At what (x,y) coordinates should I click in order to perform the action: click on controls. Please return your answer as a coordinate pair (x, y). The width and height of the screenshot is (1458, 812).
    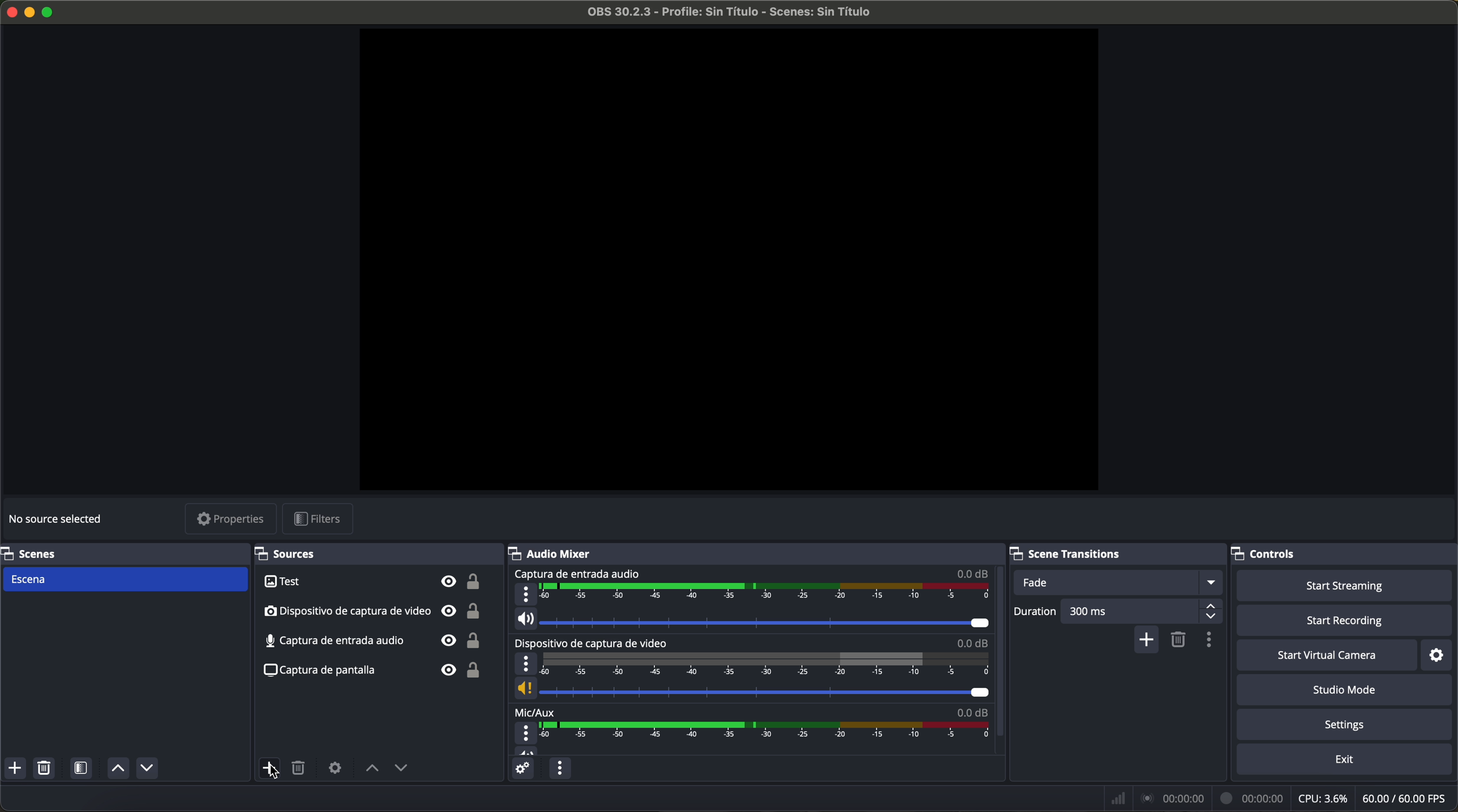
    Looking at the image, I should click on (1268, 552).